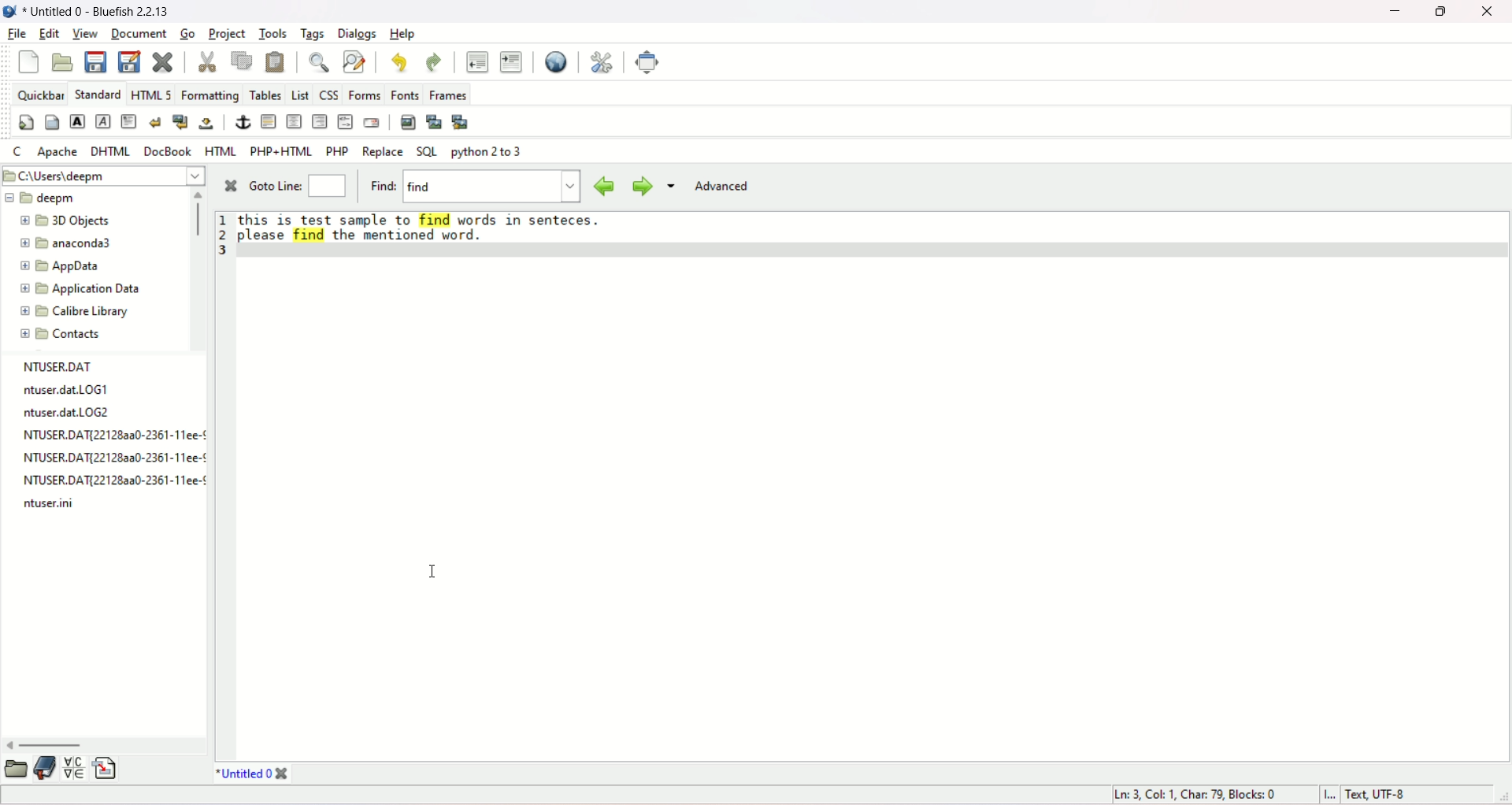  Describe the element at coordinates (60, 266) in the screenshot. I see `app` at that location.